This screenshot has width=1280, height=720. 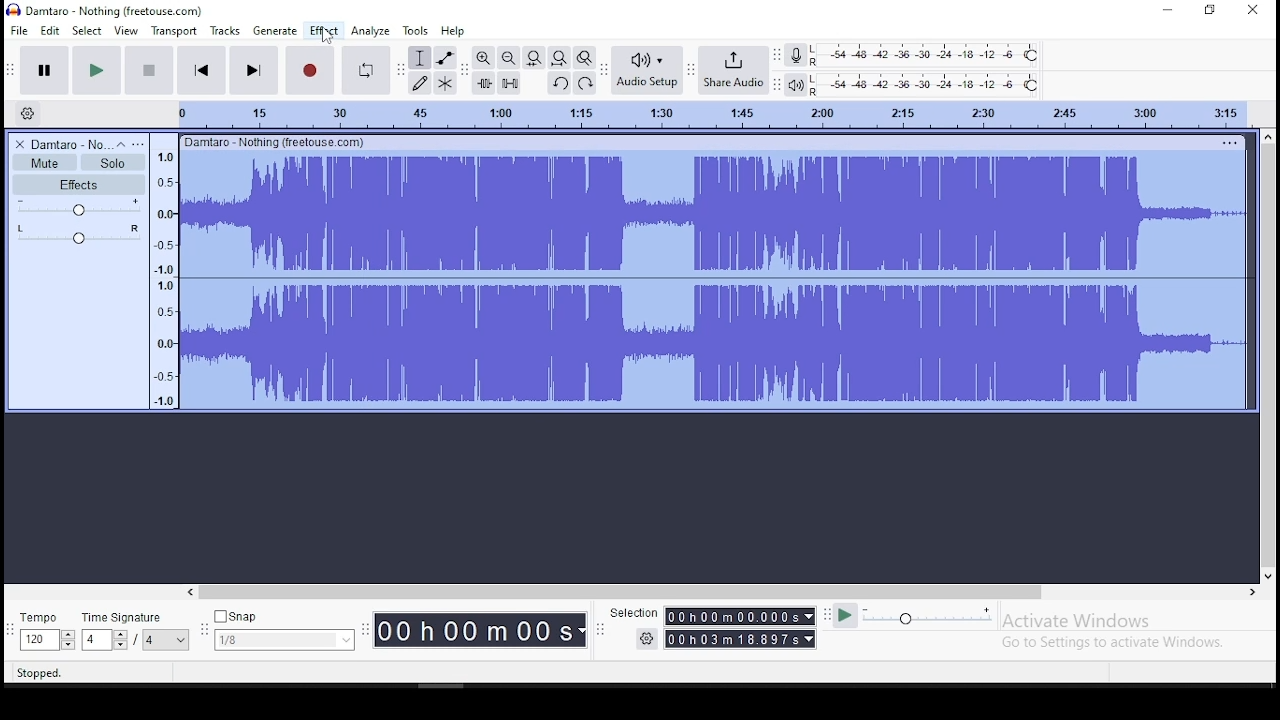 I want to click on selection tool, so click(x=420, y=57).